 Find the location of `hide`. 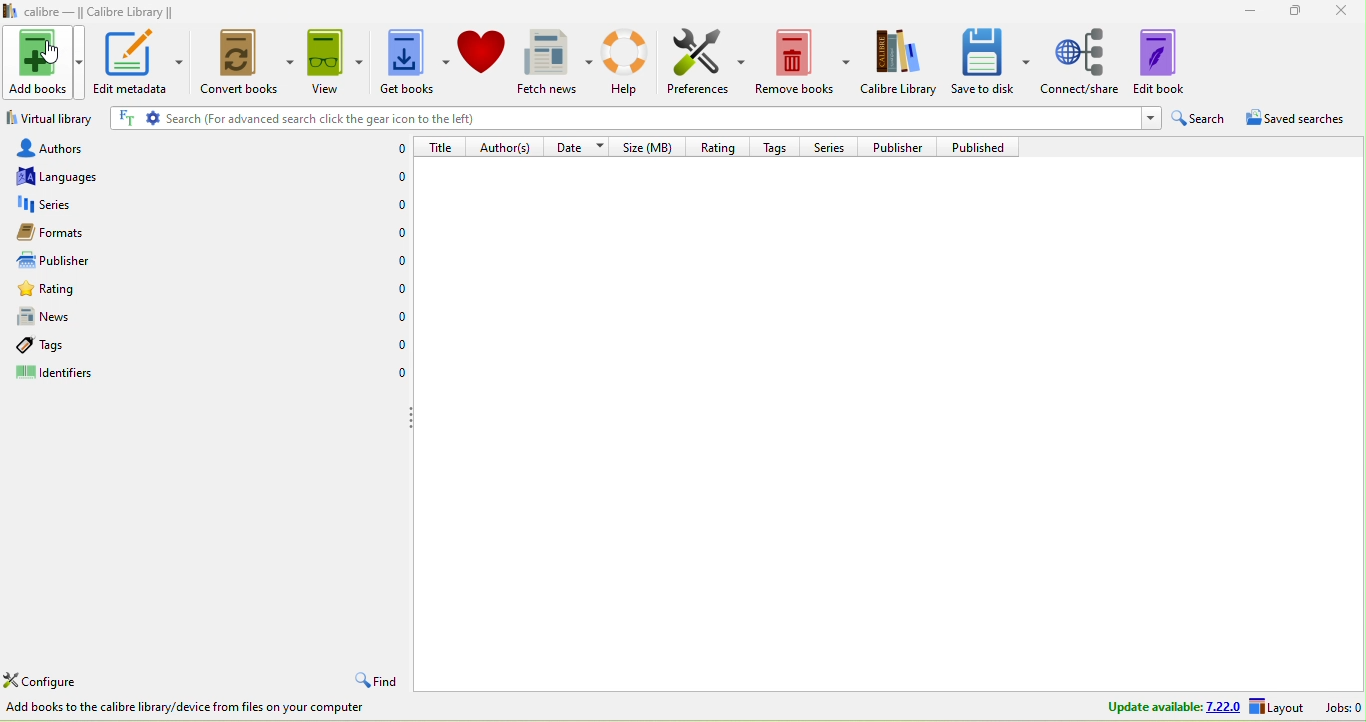

hide is located at coordinates (410, 418).